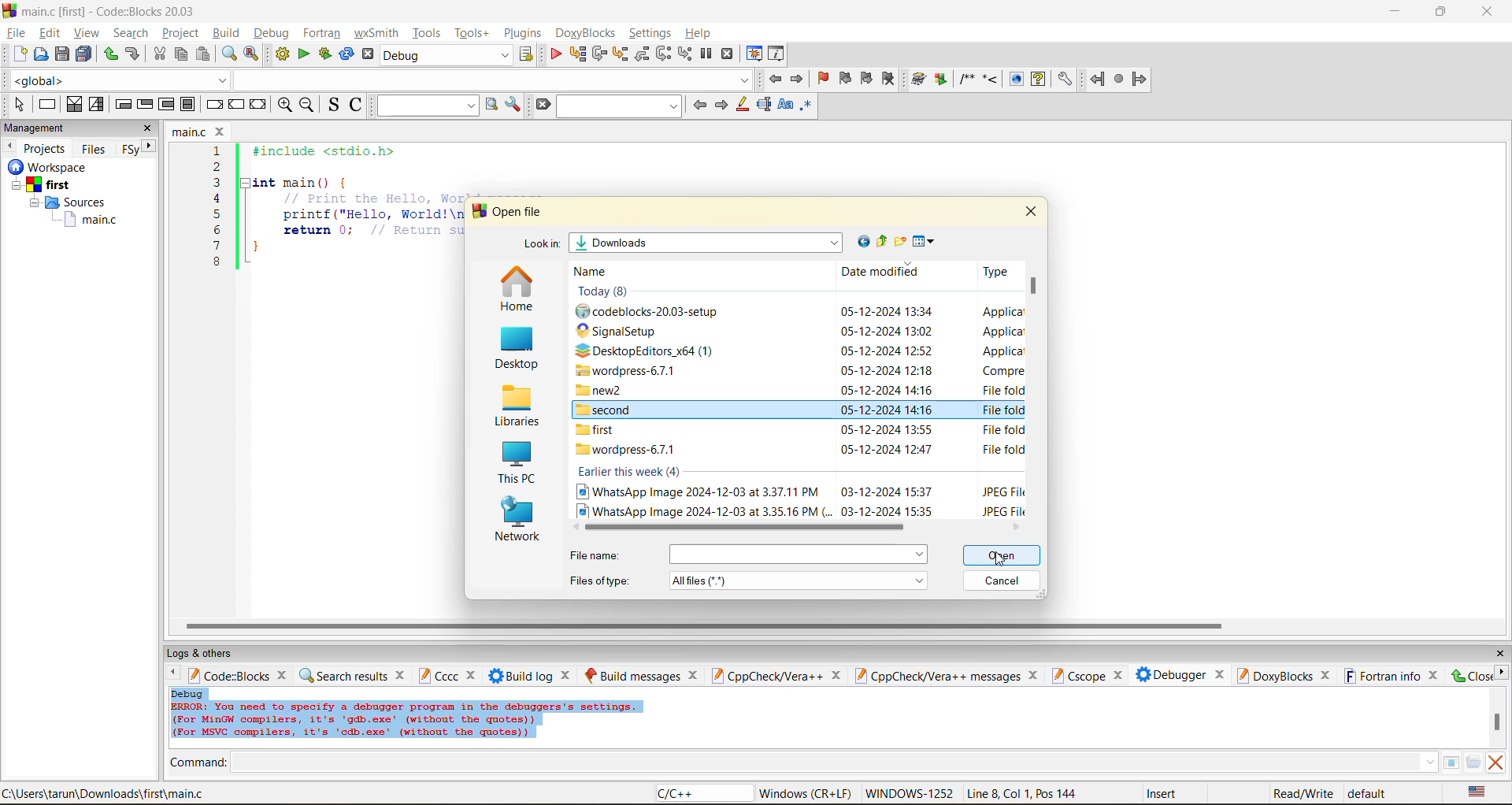 The height and width of the screenshot is (805, 1512). What do you see at coordinates (764, 105) in the screenshot?
I see `selected text` at bounding box center [764, 105].